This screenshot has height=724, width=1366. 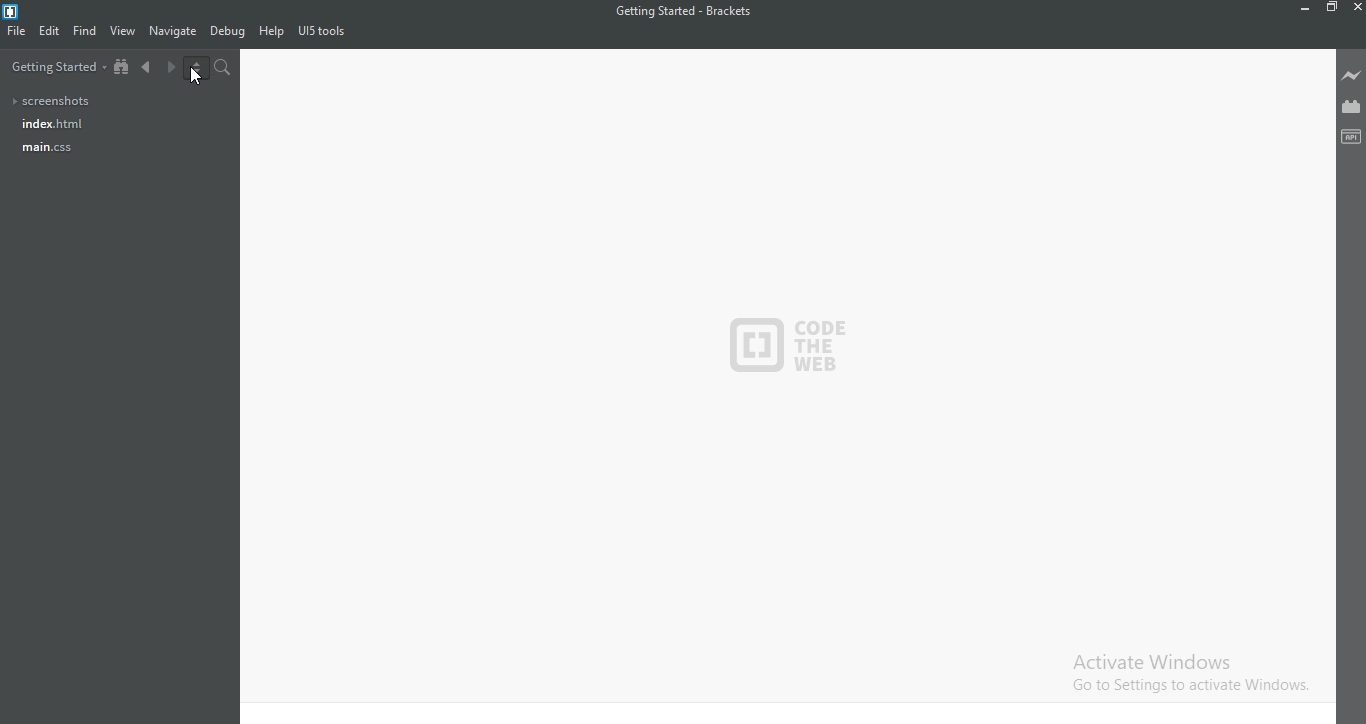 I want to click on Getting started, so click(x=55, y=70).